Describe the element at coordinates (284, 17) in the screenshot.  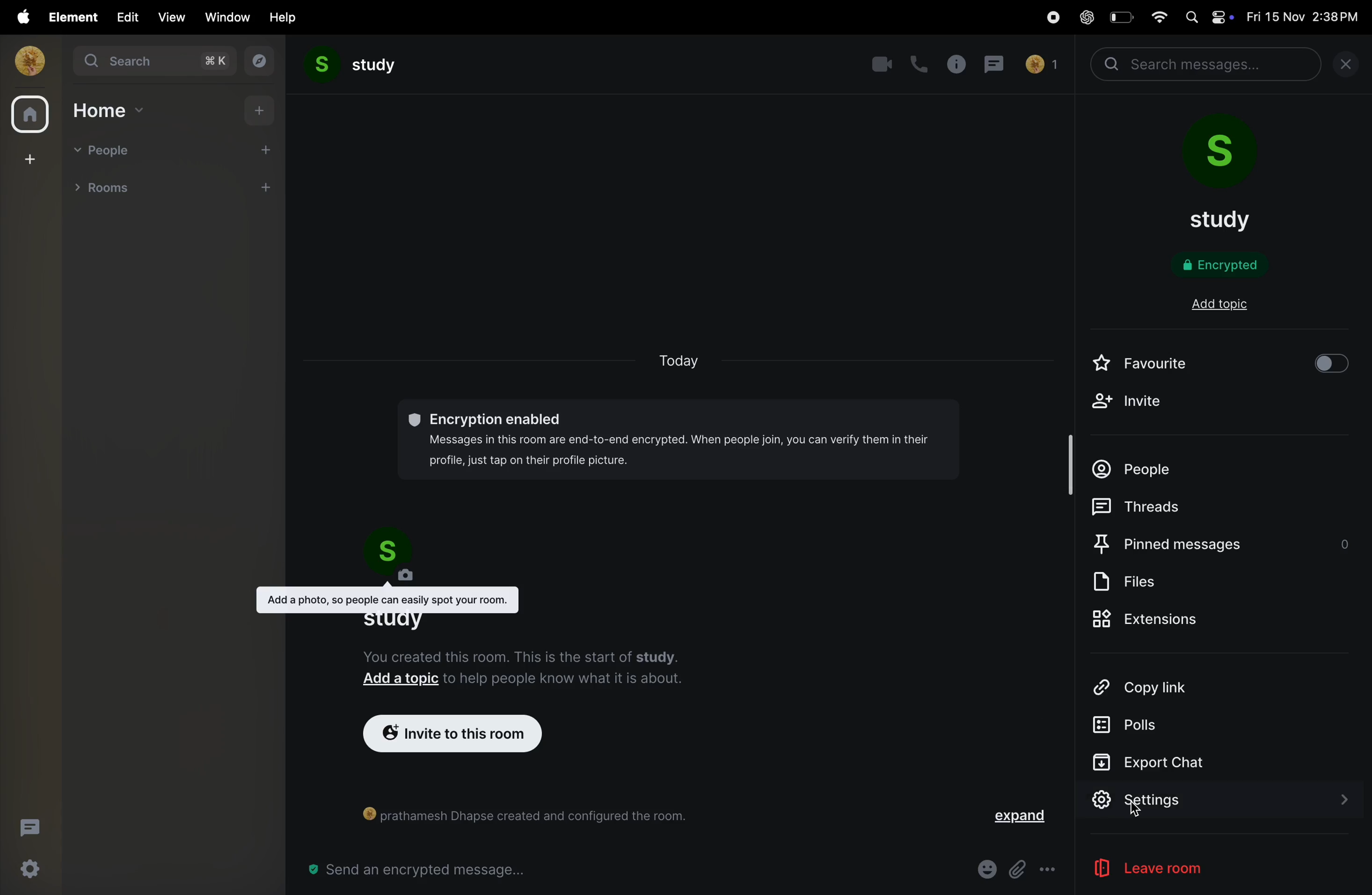
I see `help` at that location.